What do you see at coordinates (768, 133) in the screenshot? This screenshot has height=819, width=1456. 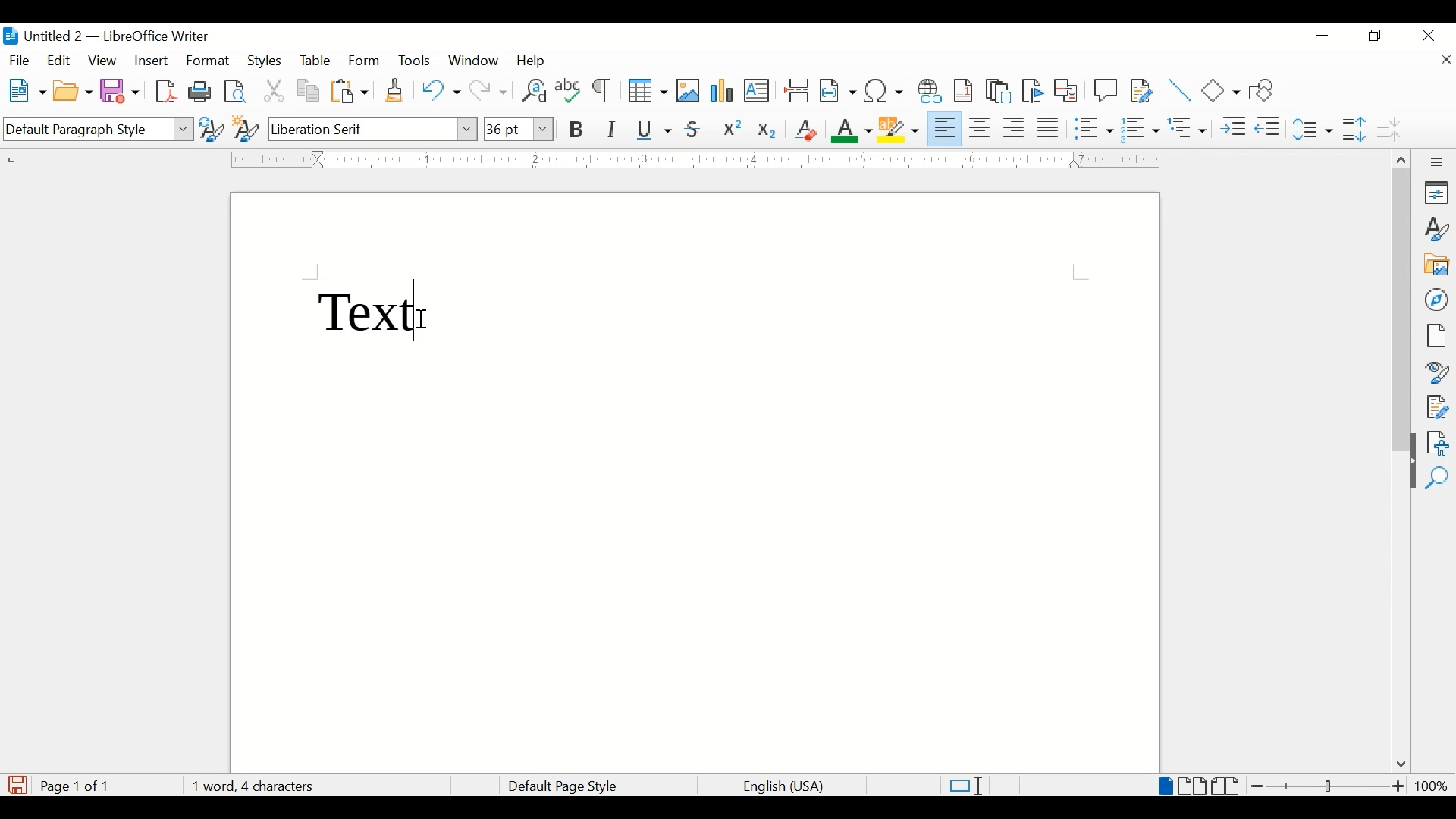 I see `subscript` at bounding box center [768, 133].